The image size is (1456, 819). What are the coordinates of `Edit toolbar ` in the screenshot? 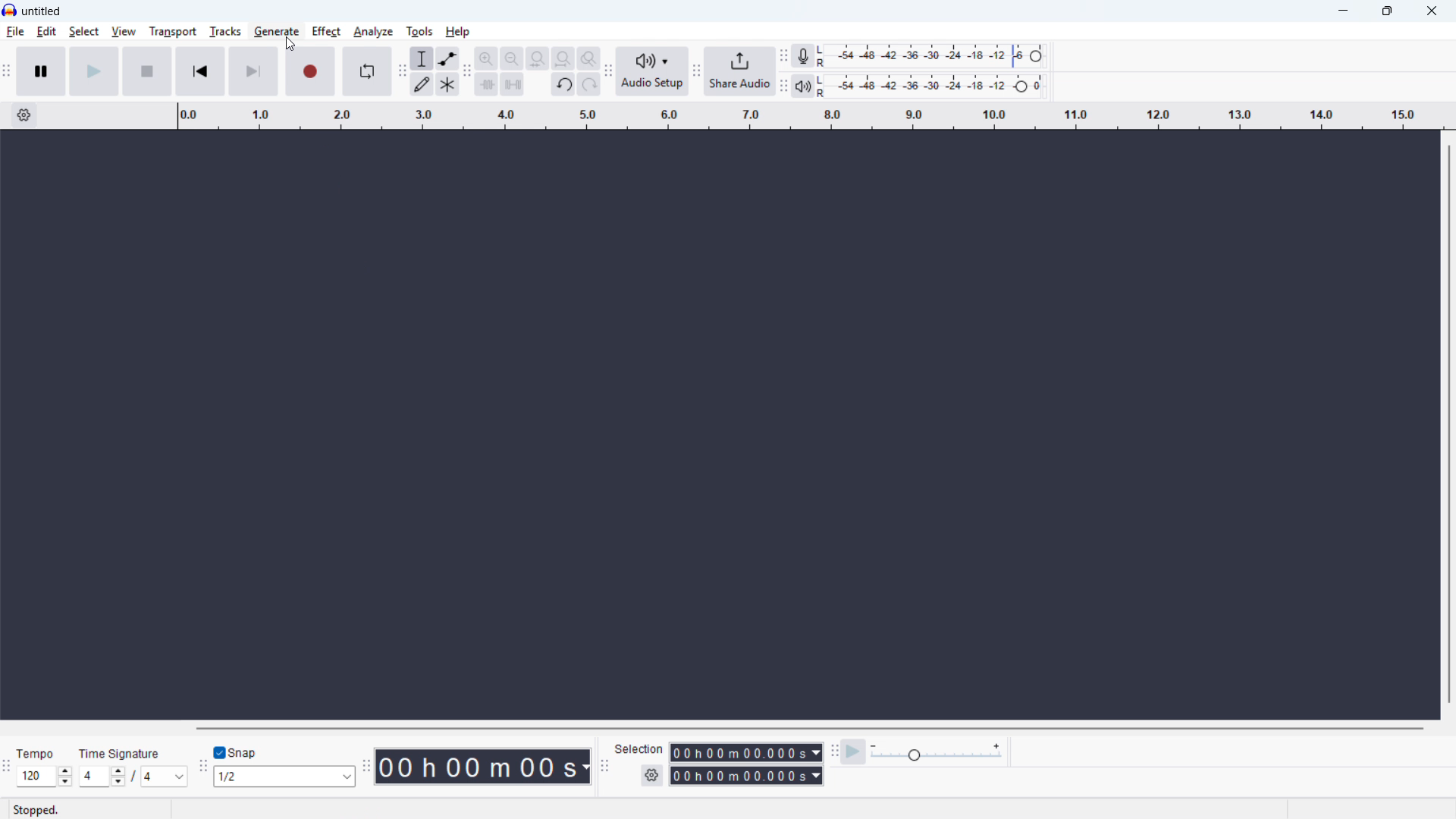 It's located at (467, 73).